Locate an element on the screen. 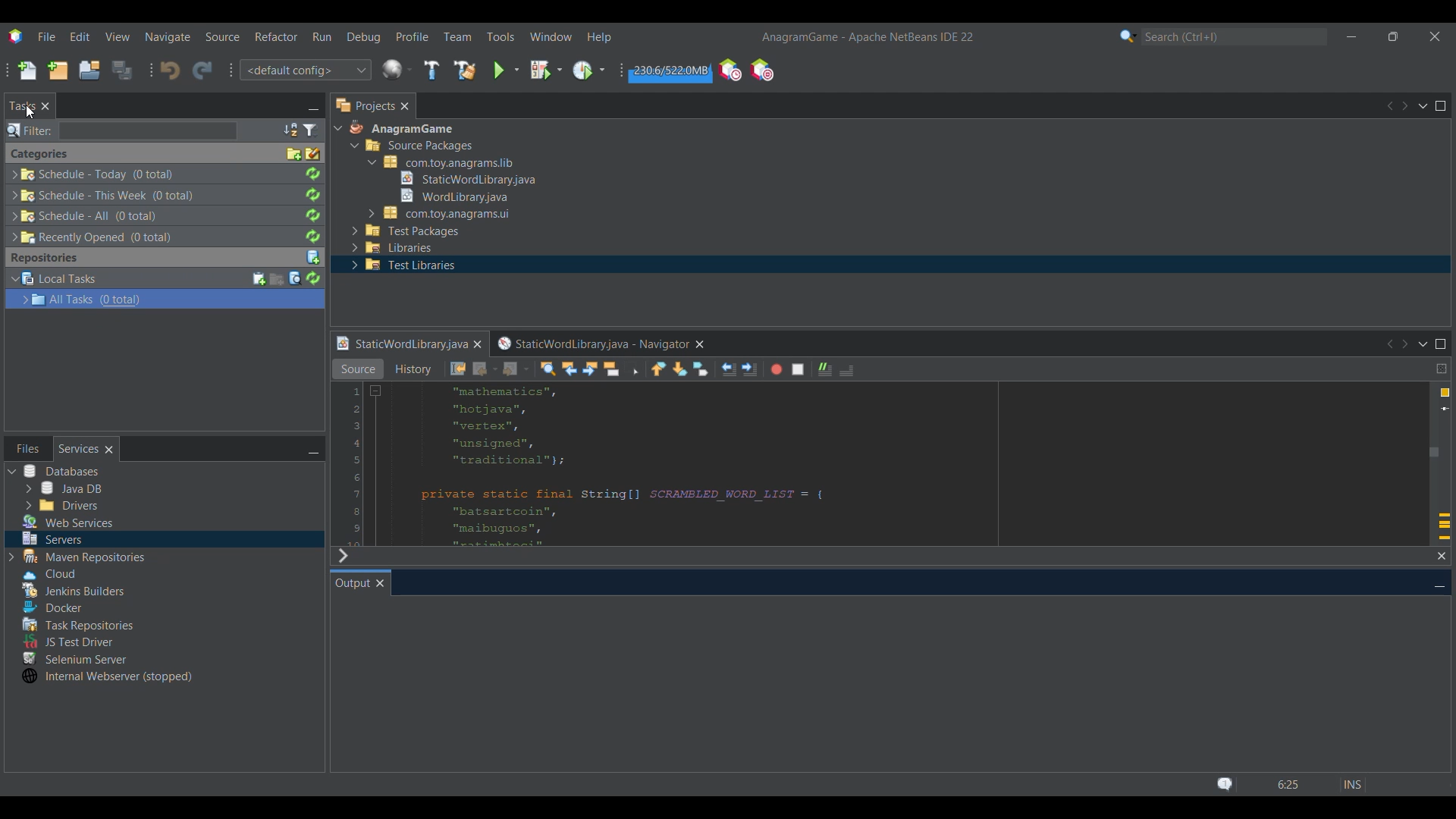  Current tab is located at coordinates (352, 582).